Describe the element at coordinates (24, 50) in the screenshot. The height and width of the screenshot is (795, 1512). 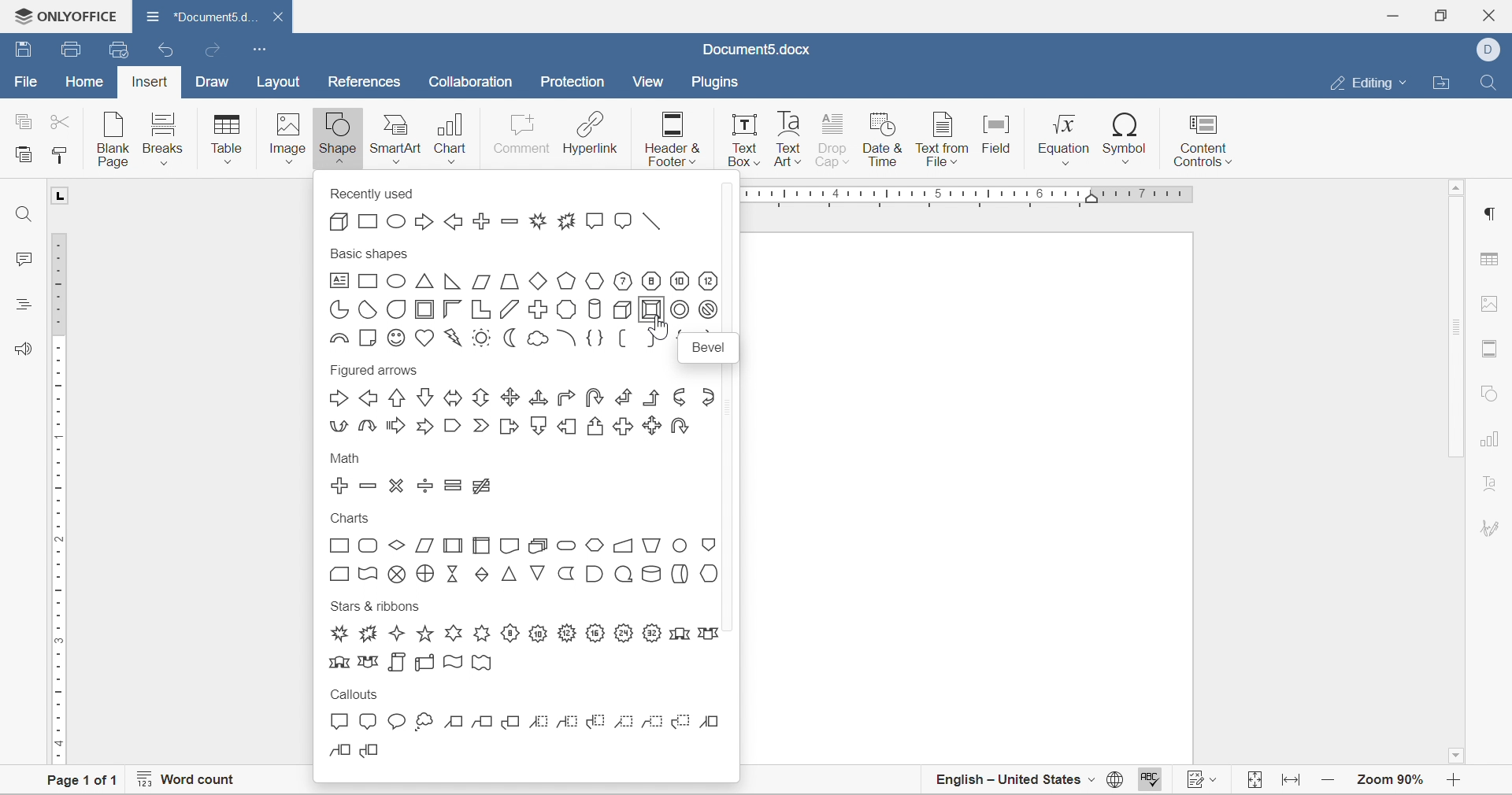
I see `save` at that location.